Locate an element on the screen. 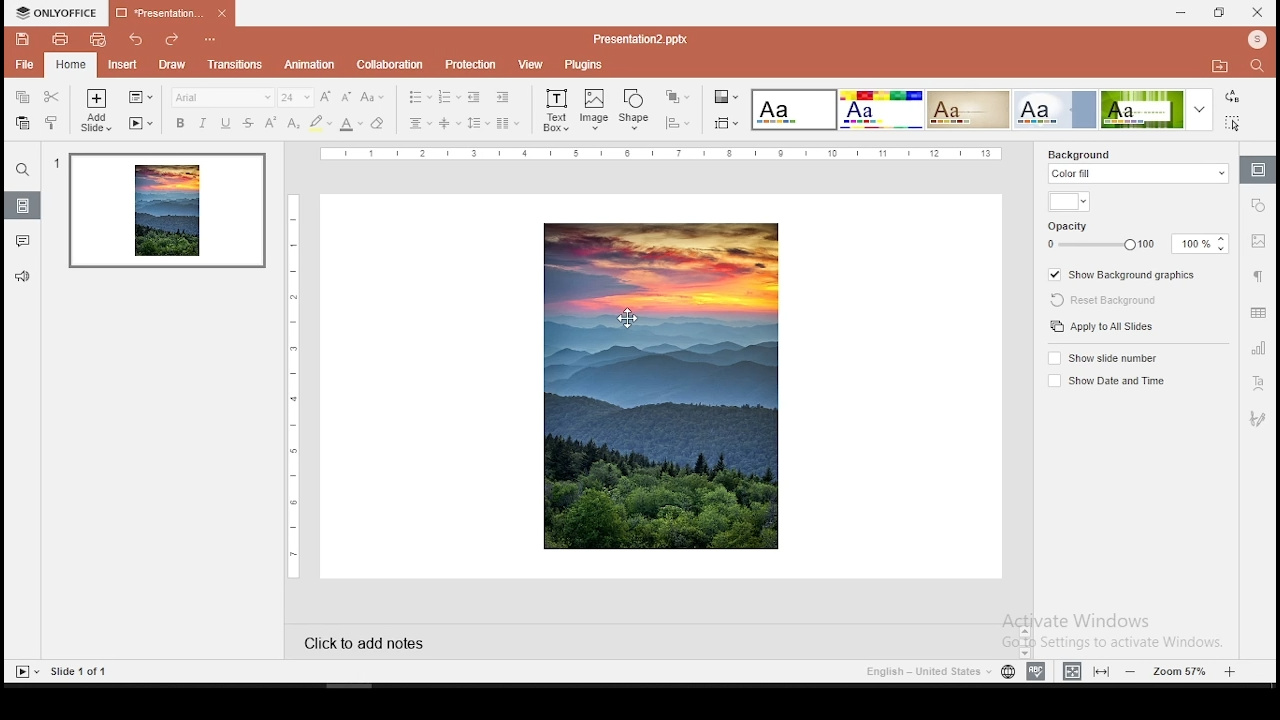 This screenshot has height=720, width=1280. underline is located at coordinates (225, 123).